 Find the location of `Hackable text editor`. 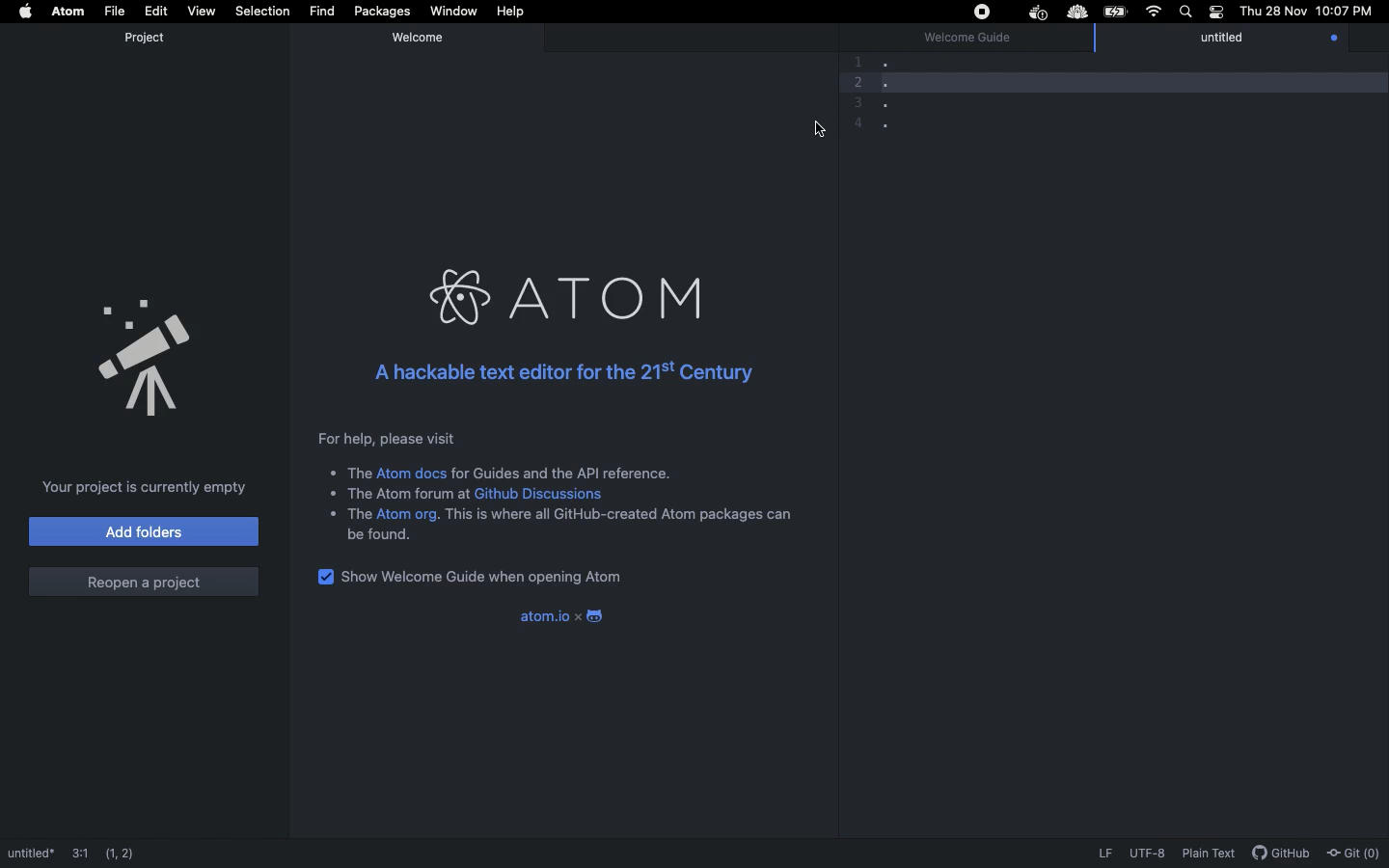

Hackable text editor is located at coordinates (560, 368).